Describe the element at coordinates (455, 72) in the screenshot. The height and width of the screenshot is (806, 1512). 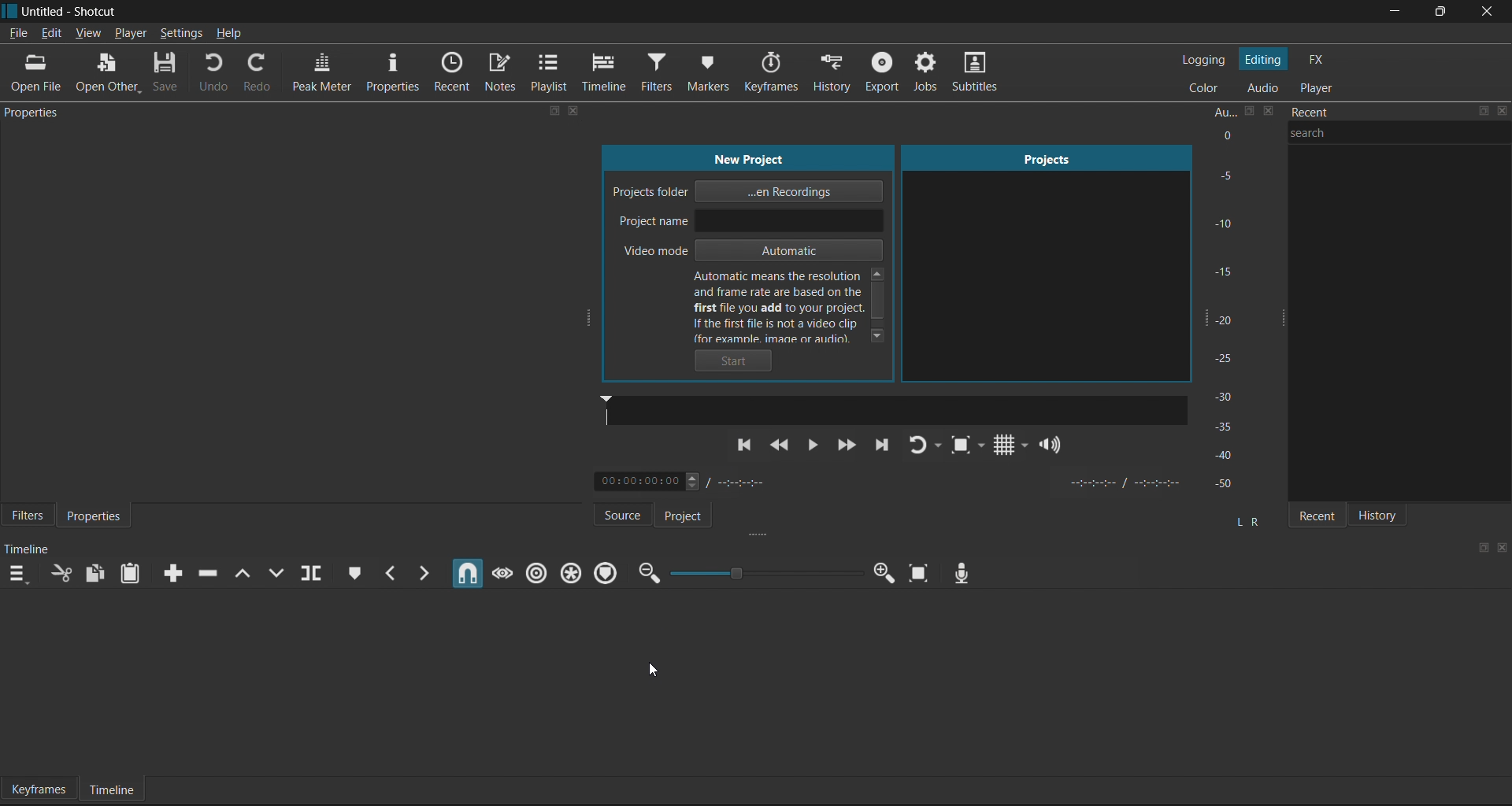
I see `Recent` at that location.